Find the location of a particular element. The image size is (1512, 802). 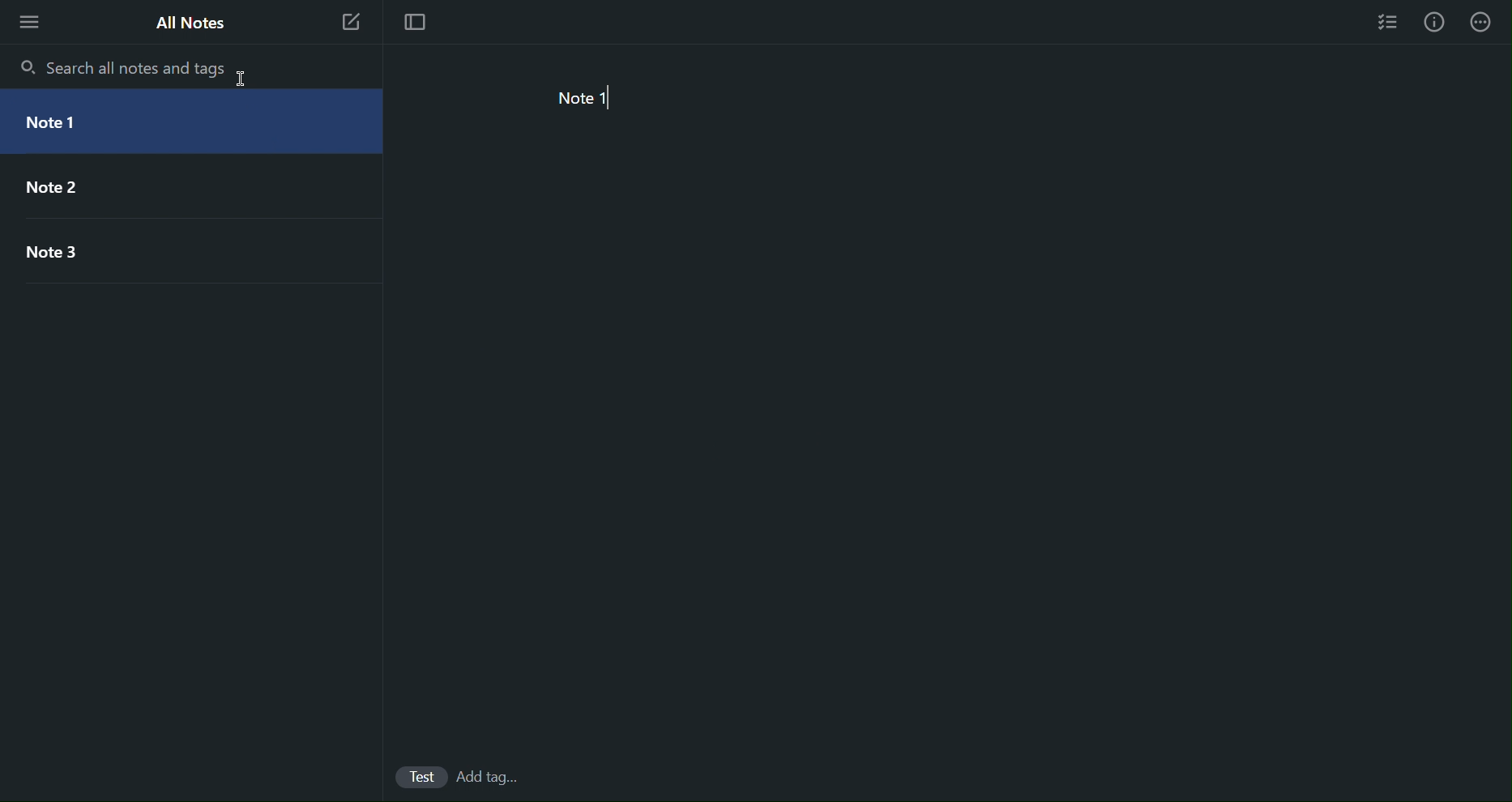

Checklist is located at coordinates (1384, 20).